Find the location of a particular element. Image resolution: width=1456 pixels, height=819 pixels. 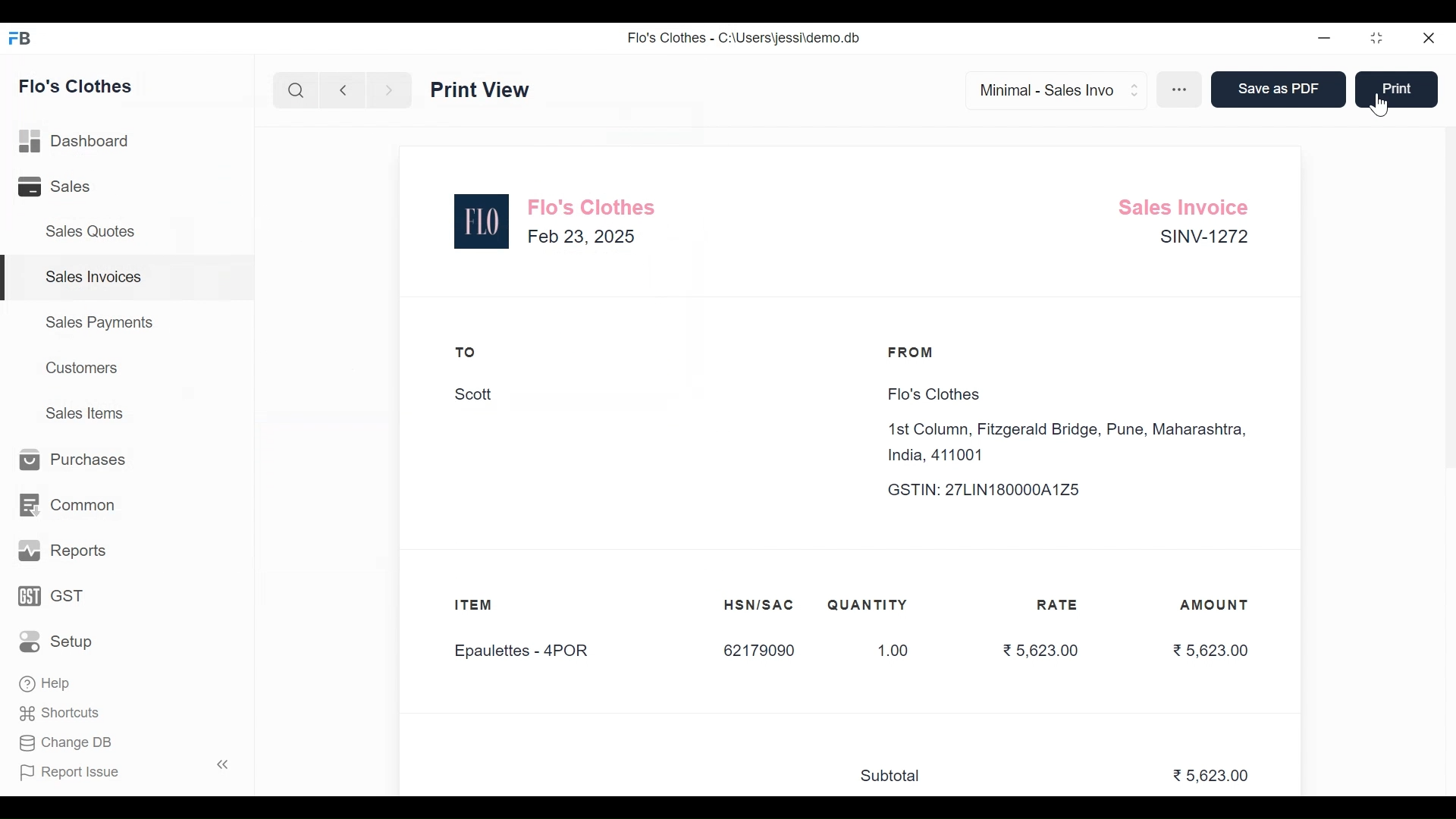

5,623.00 is located at coordinates (1039, 649).